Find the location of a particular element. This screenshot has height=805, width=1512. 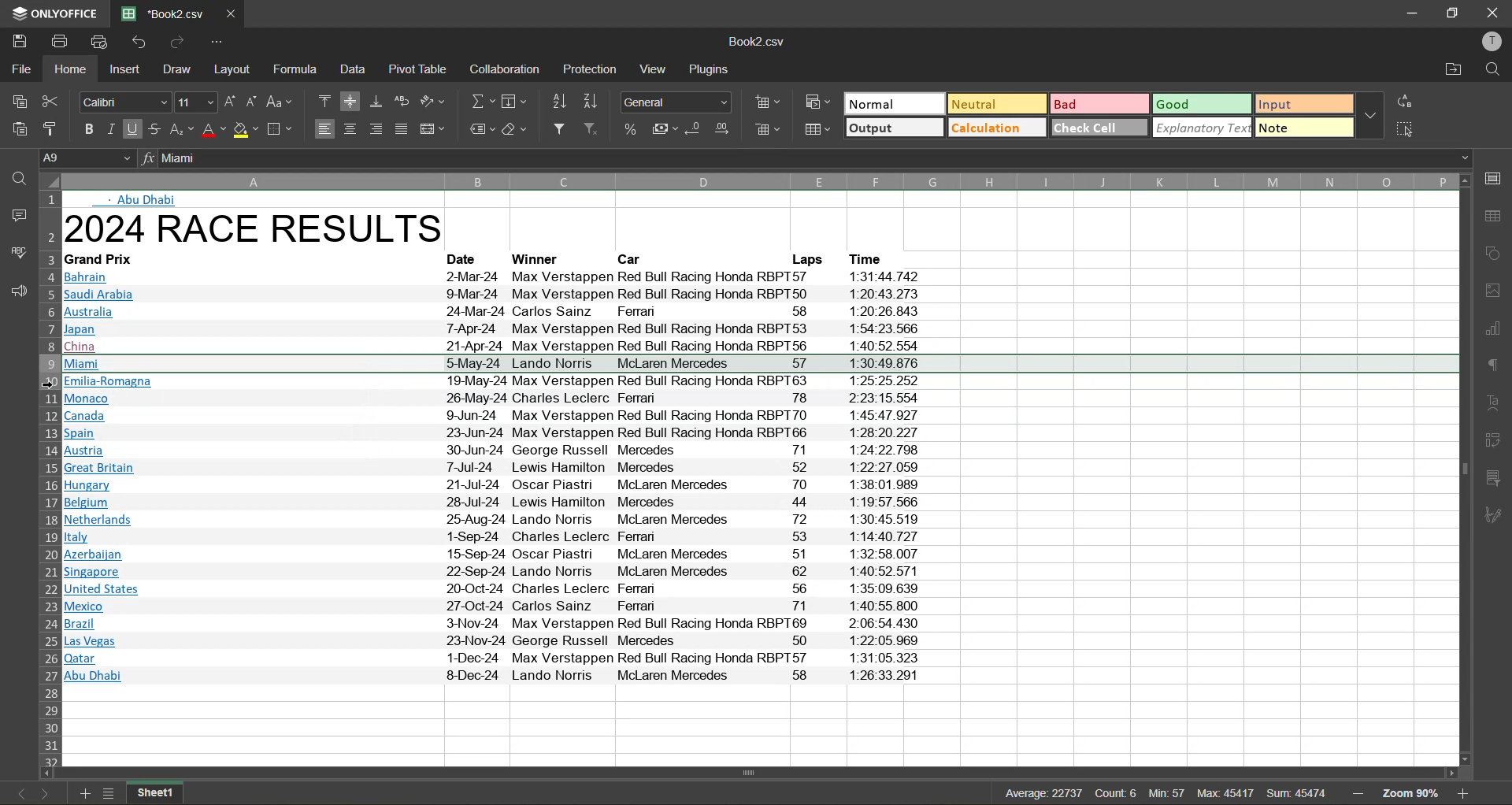

protection is located at coordinates (591, 70).